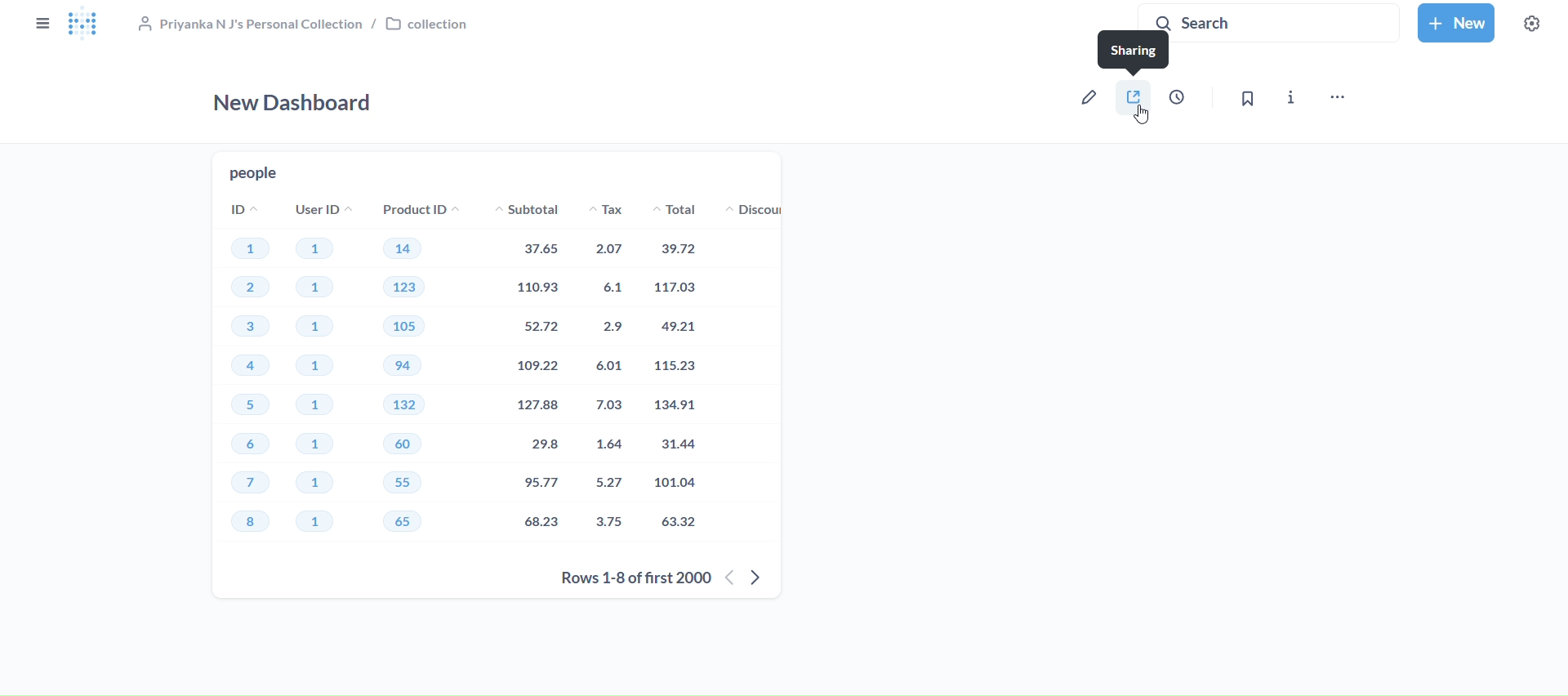  Describe the element at coordinates (1292, 98) in the screenshot. I see `info` at that location.